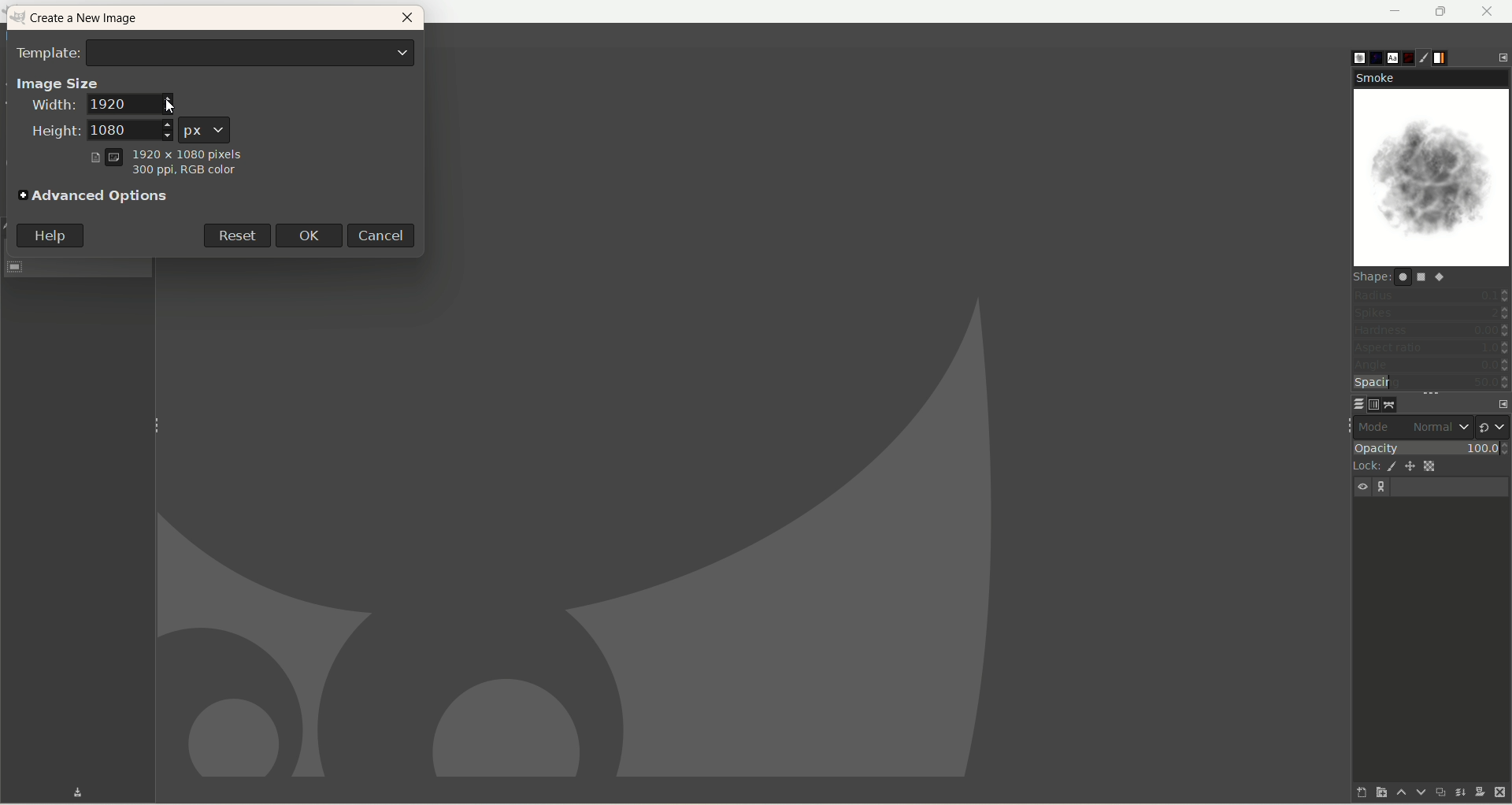 The image size is (1512, 805). What do you see at coordinates (1396, 11) in the screenshot?
I see `minimize` at bounding box center [1396, 11].